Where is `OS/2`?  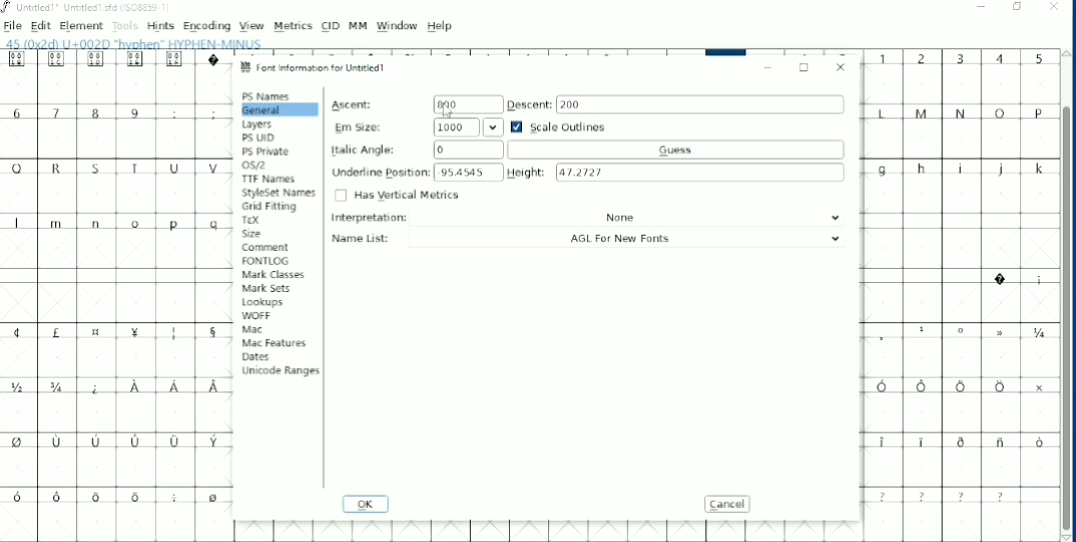 OS/2 is located at coordinates (256, 166).